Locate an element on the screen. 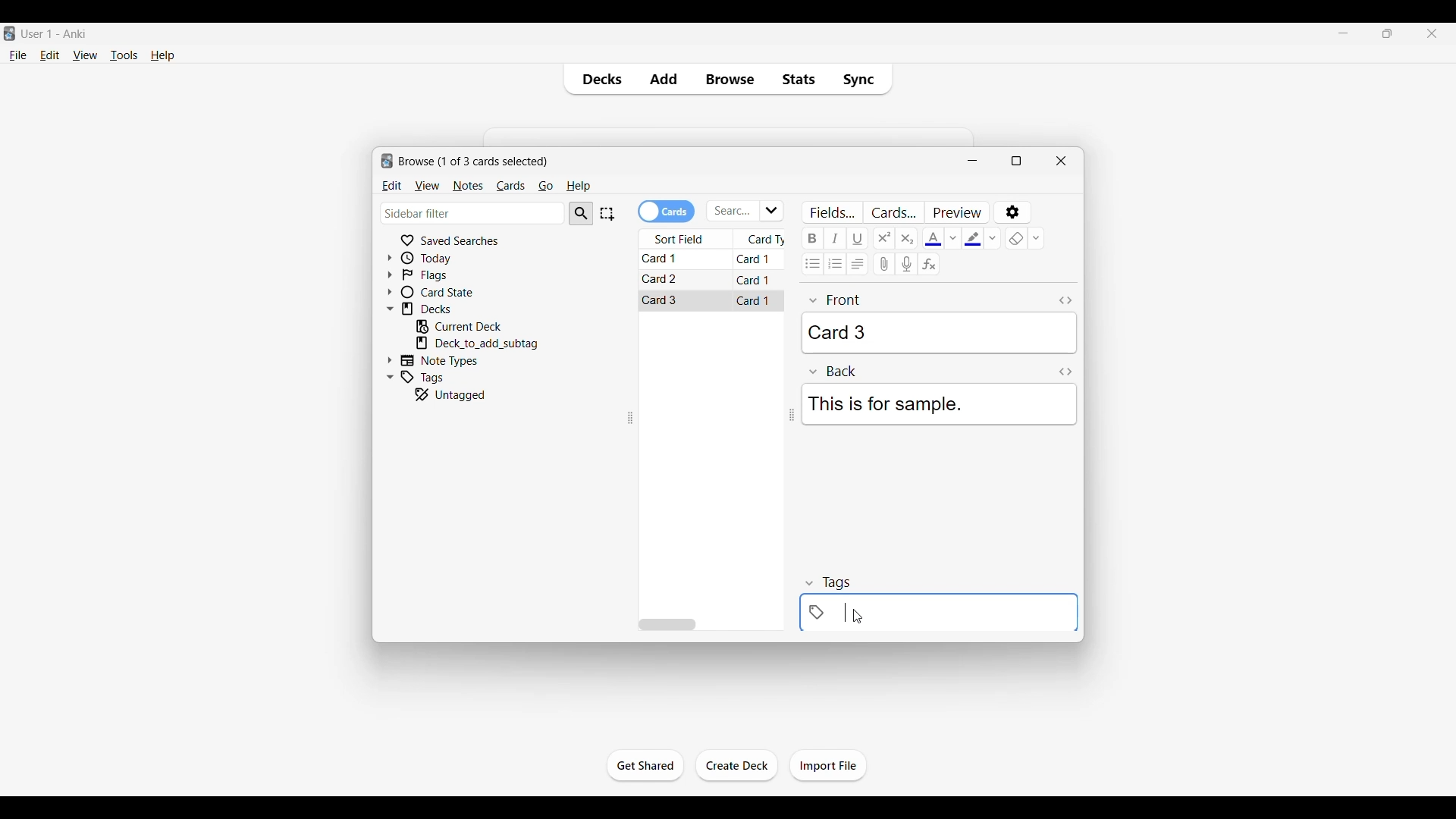  Card 3 is located at coordinates (939, 333).